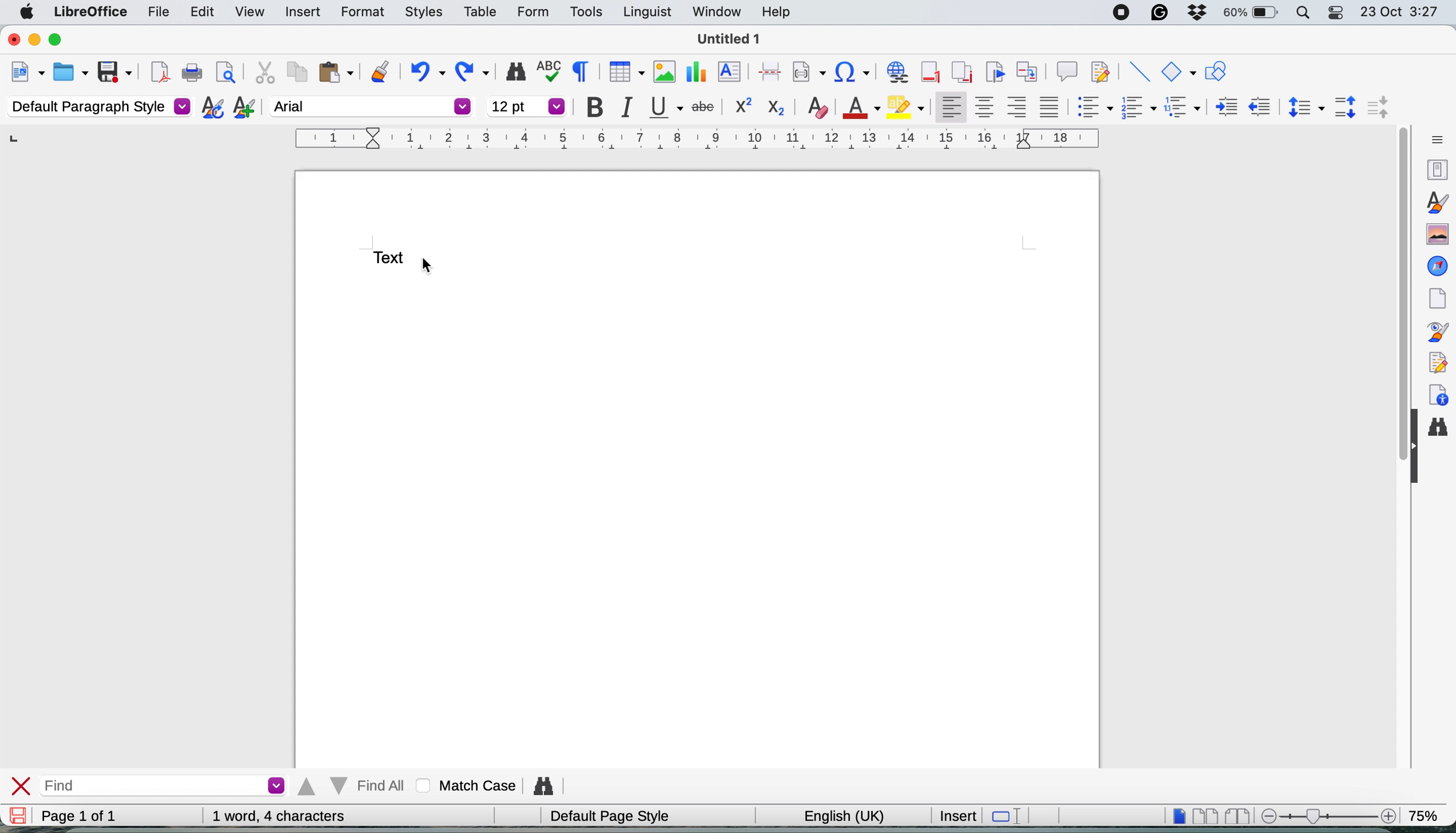 The width and height of the screenshot is (1456, 833). Describe the element at coordinates (1258, 107) in the screenshot. I see `decrease indent` at that location.